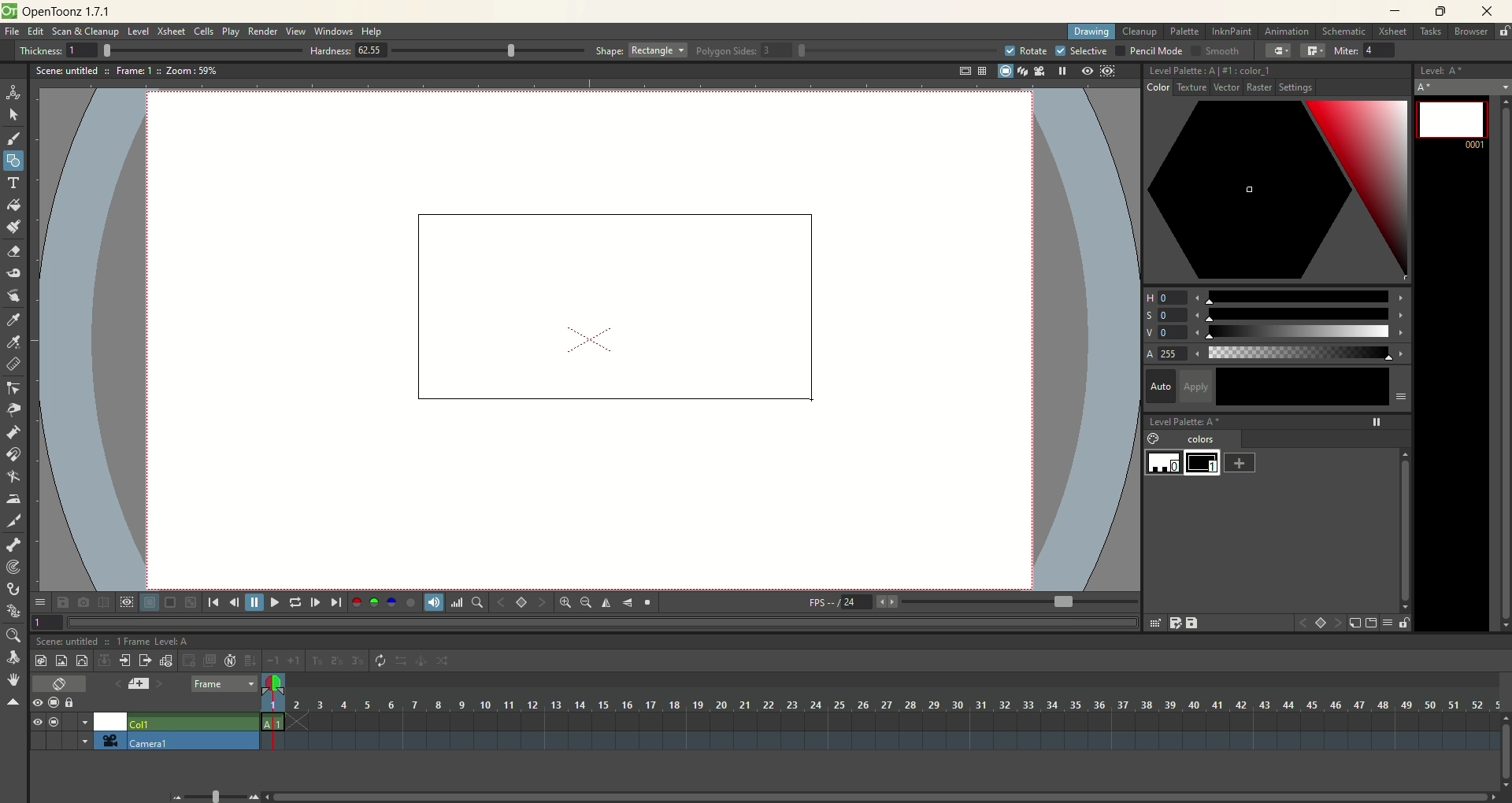  What do you see at coordinates (810, 405) in the screenshot?
I see `cursor` at bounding box center [810, 405].